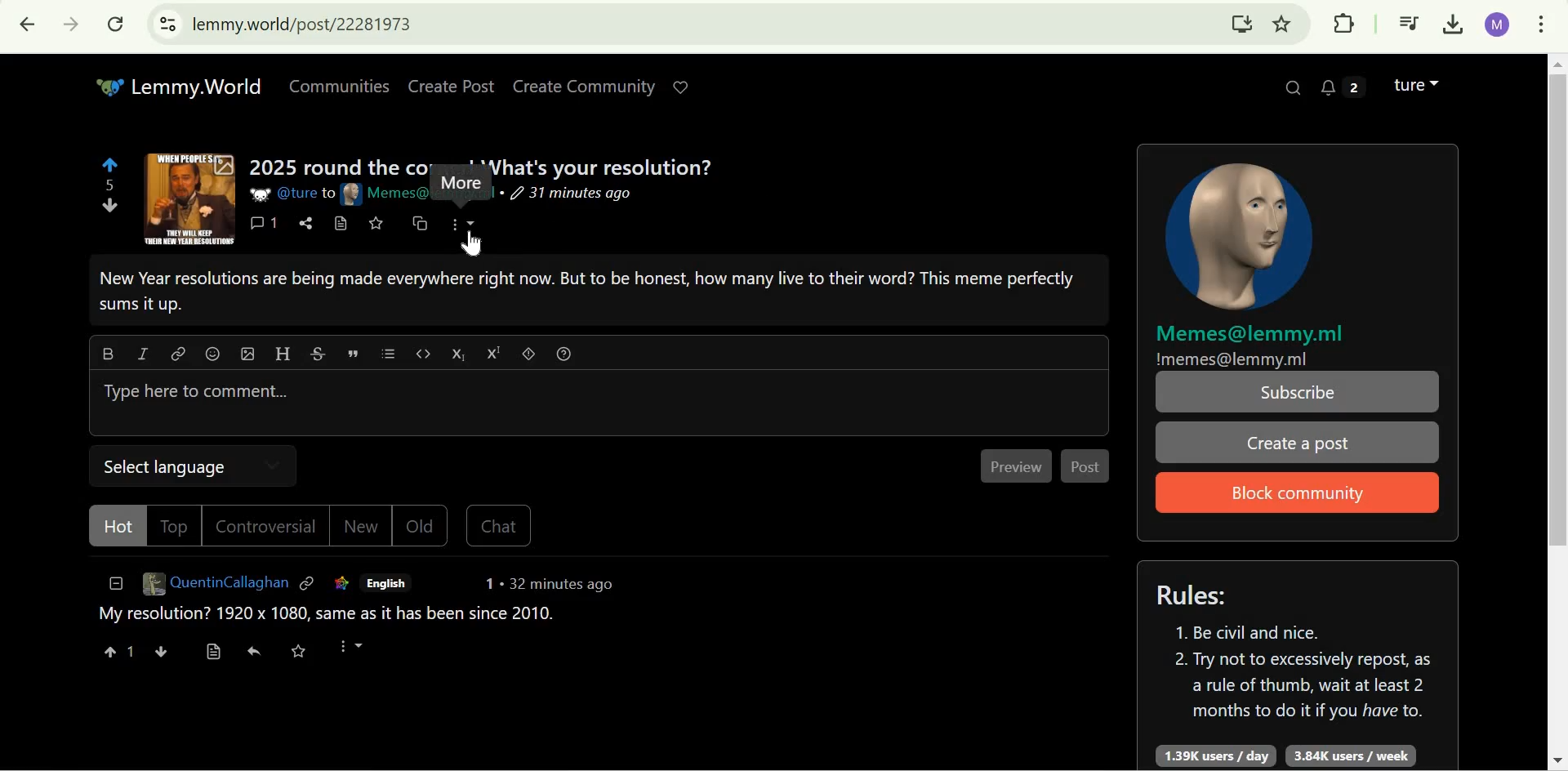 The image size is (1568, 771). I want to click on Bold, so click(109, 353).